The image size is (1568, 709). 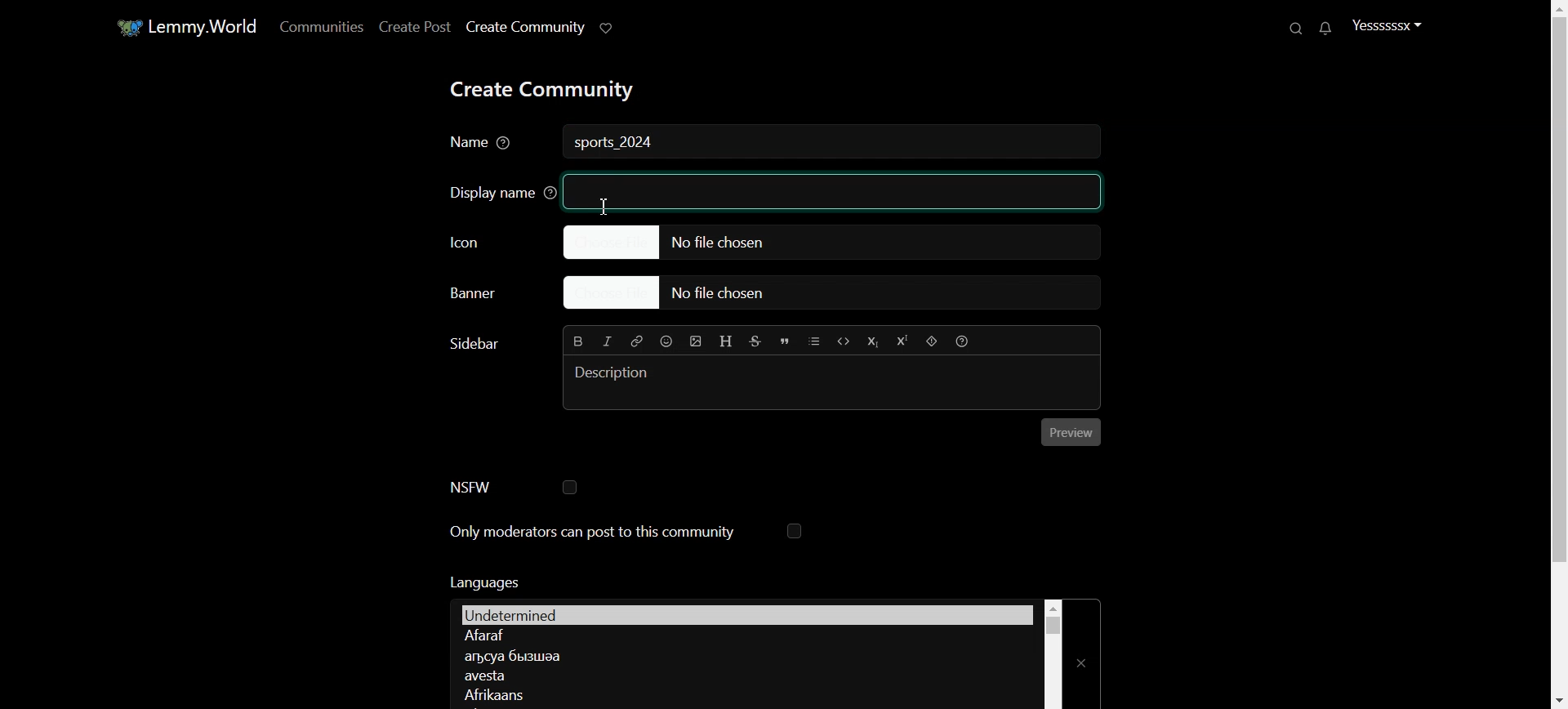 What do you see at coordinates (841, 383) in the screenshot?
I see `Typing window` at bounding box center [841, 383].